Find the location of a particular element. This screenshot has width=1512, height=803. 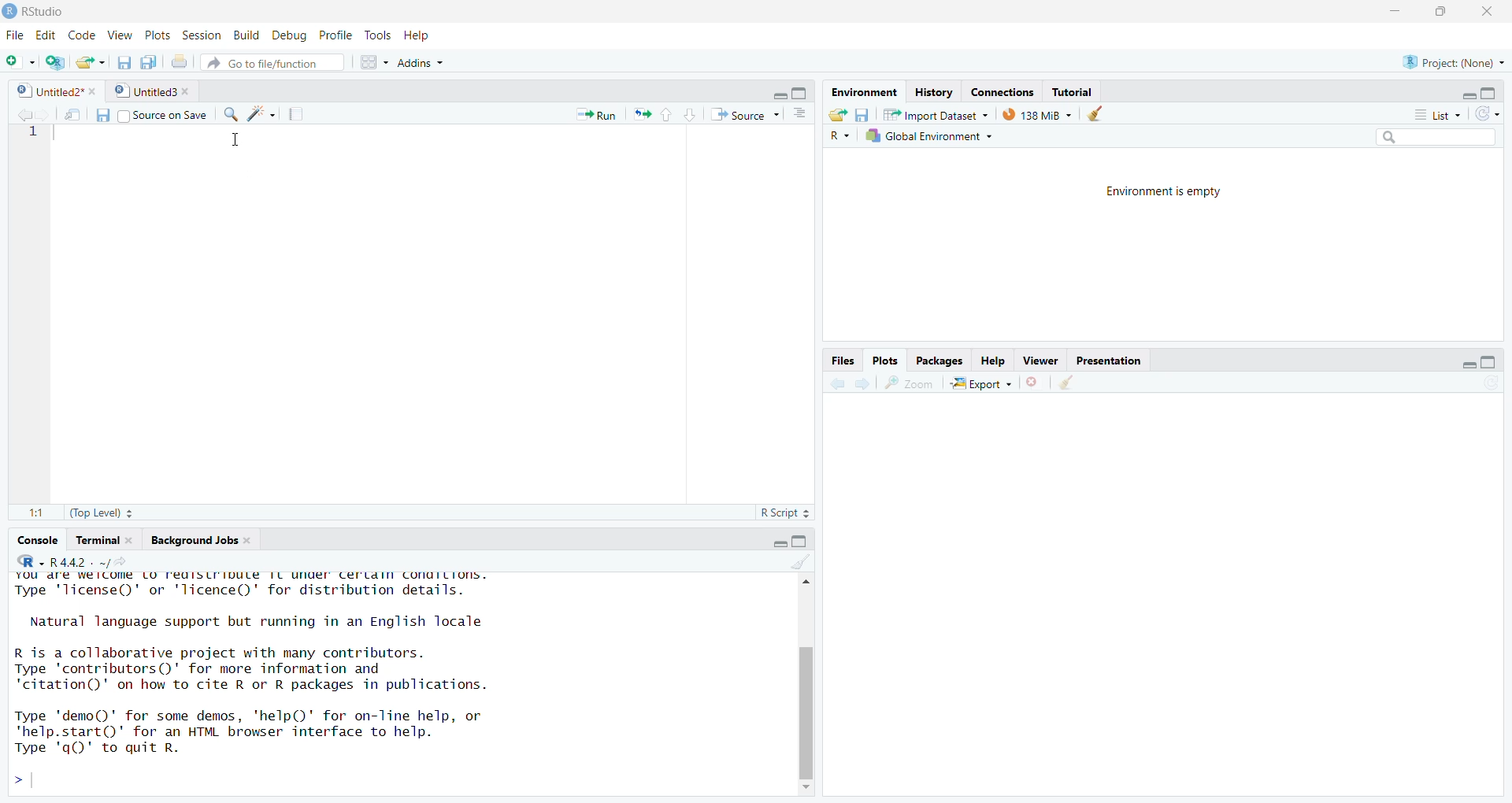

YOU dre We ICOM LO FediSLIIDULE TL UNUer Certdin conuiLions.

Type 'license()' or 'licence()' for distribution details.
Natural language support but running in an English locale

R is a collaborative project with many contributors.

Type 'contributors()' for more information and

"citation()' on how to cite R or R packages in publications.

Type 'demo()' for some demos, 'help()' for on-line help, or

'help.start()"' for an HTML browser interface to help.

Type 'qO)' to quit R.

> is located at coordinates (356, 670).